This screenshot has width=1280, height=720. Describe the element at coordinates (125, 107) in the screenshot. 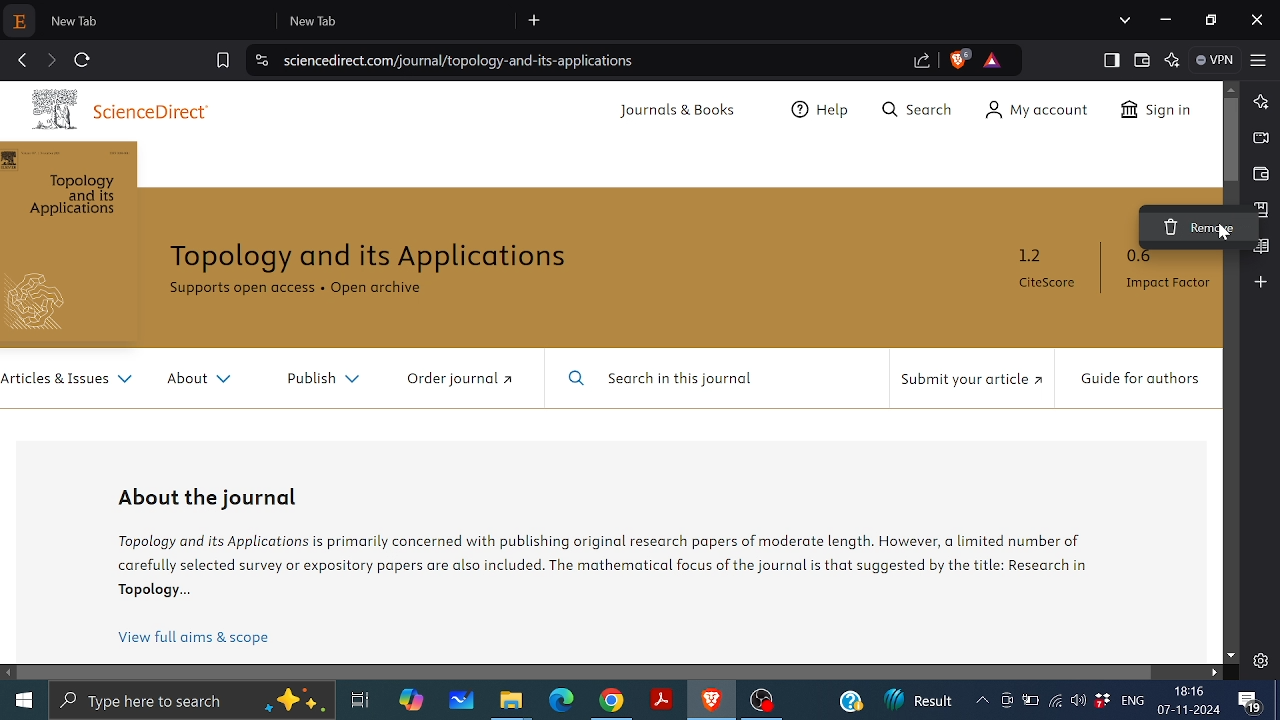

I see `ScienceDirect` at that location.